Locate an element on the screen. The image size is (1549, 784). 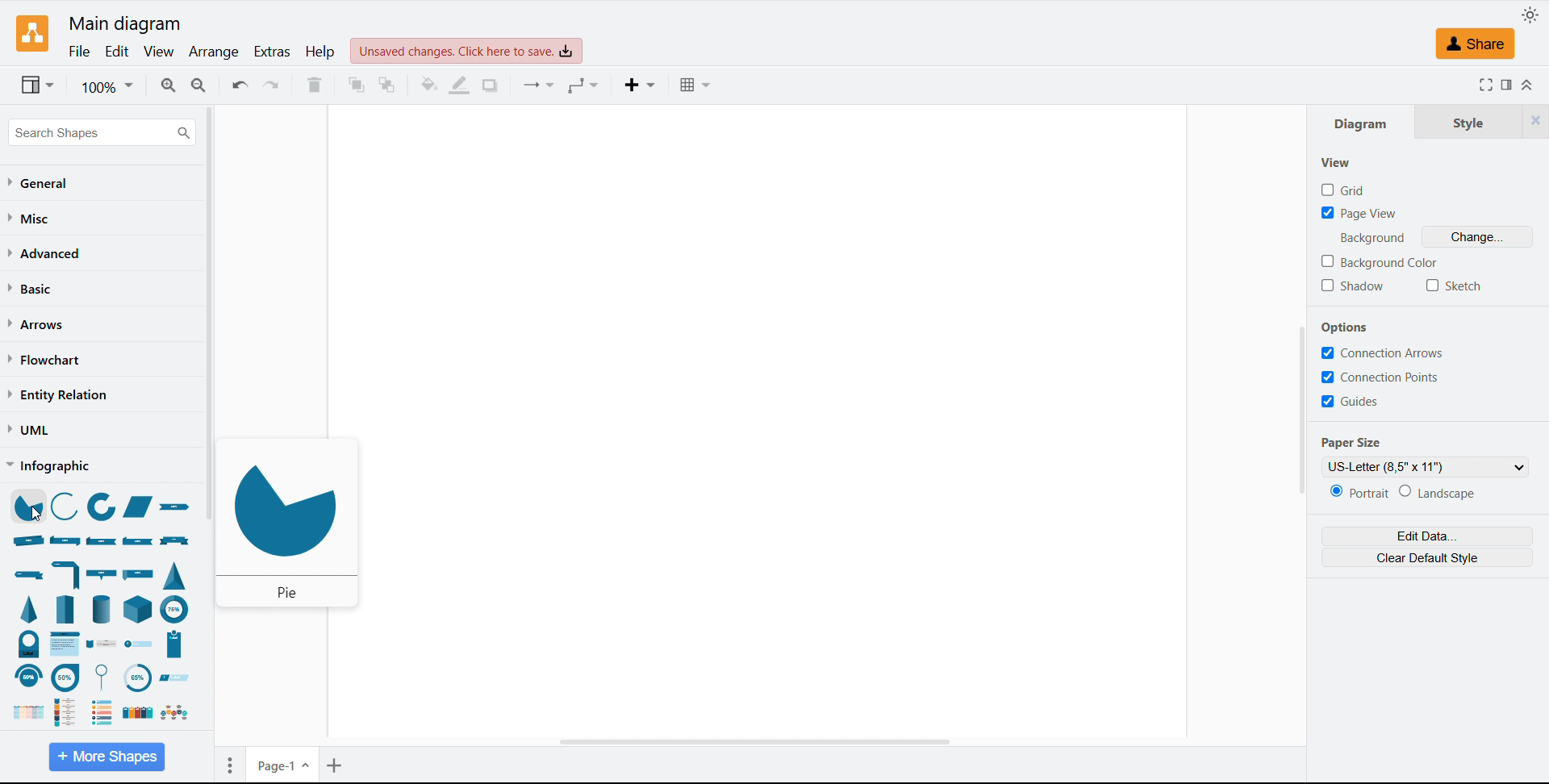
Full screen  is located at coordinates (1485, 85).